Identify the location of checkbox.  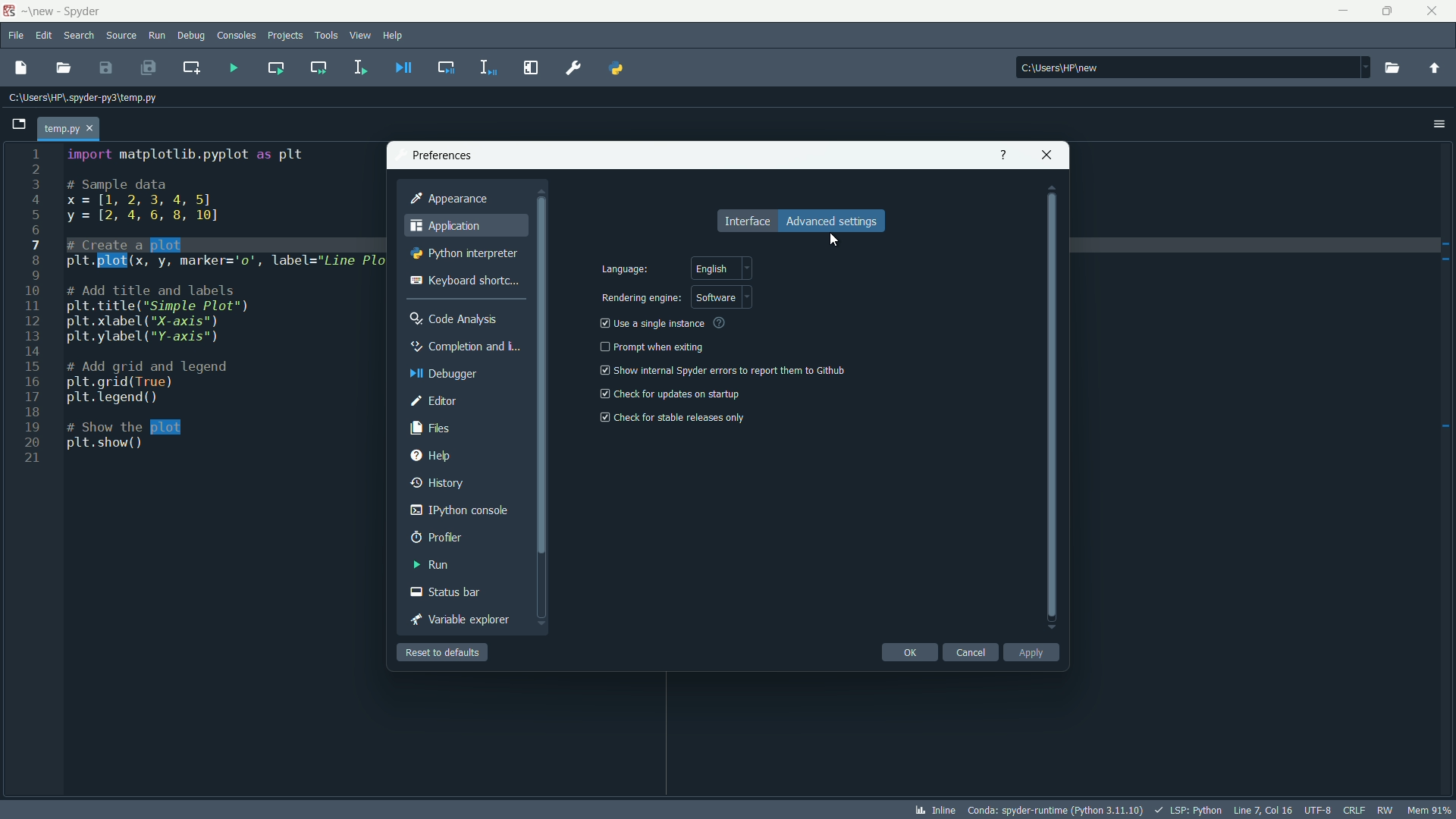
(603, 416).